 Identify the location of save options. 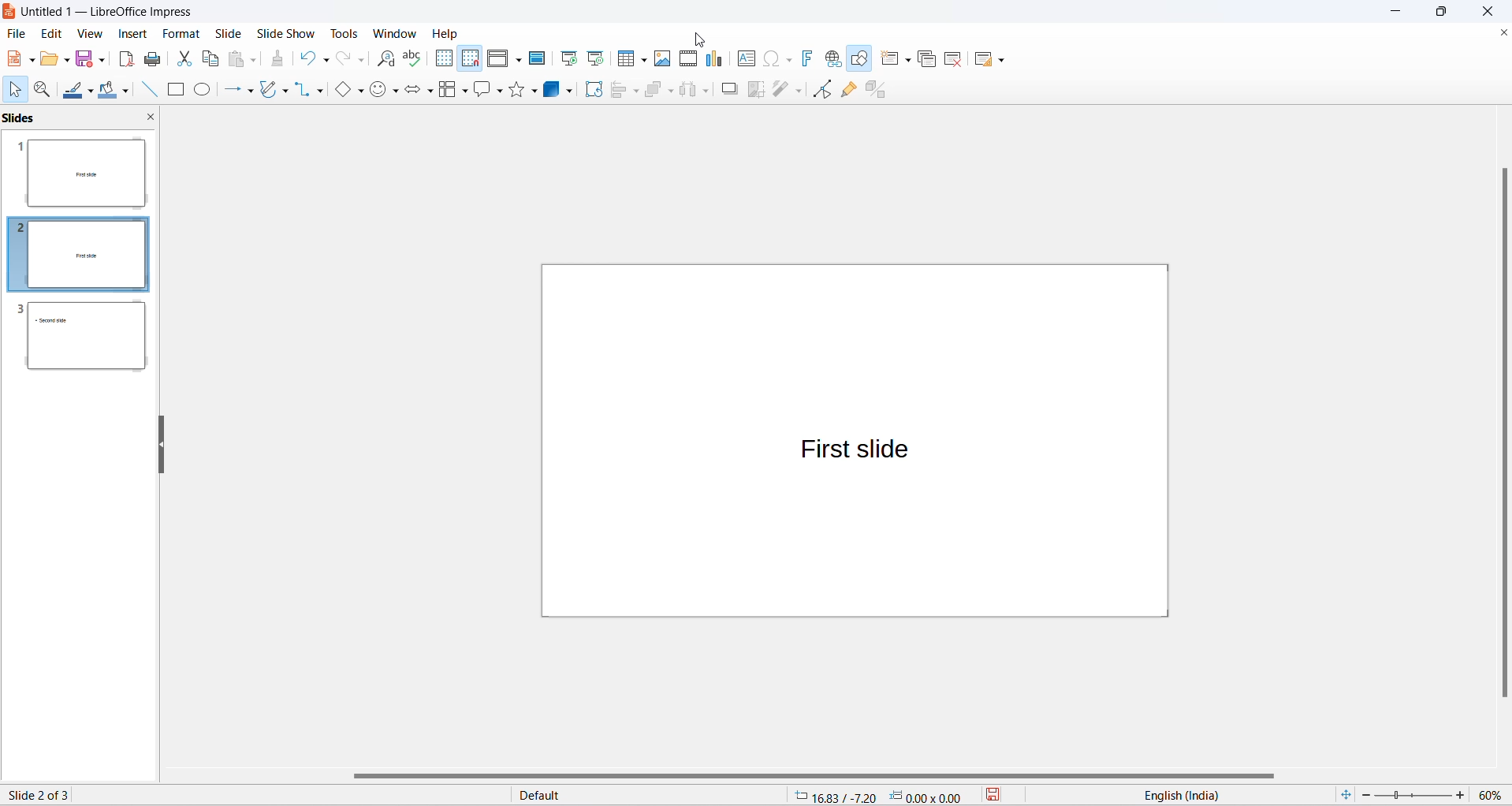
(105, 60).